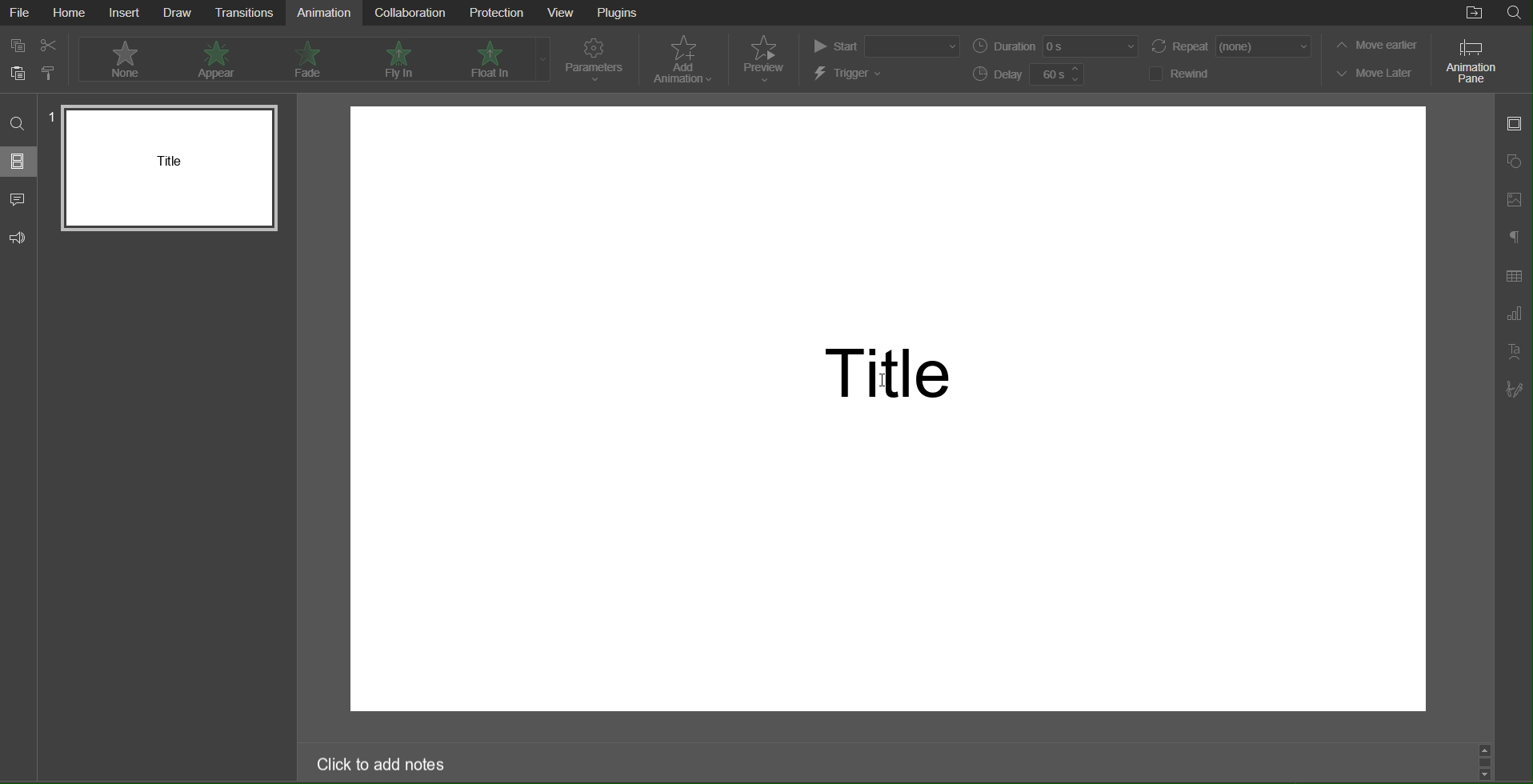 The image size is (1533, 784). I want to click on Transitions, so click(243, 13).